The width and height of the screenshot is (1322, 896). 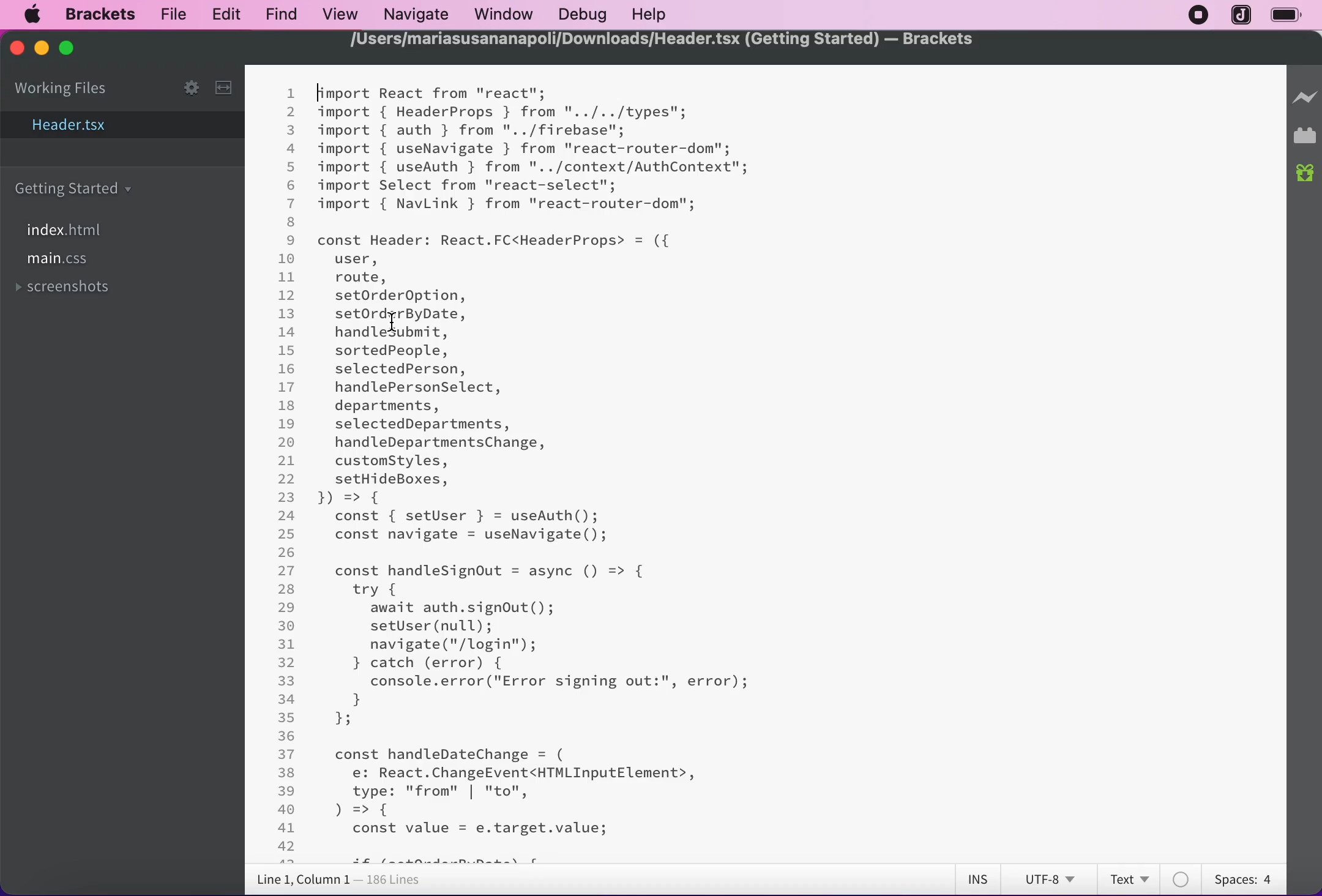 What do you see at coordinates (288, 442) in the screenshot?
I see `20` at bounding box center [288, 442].